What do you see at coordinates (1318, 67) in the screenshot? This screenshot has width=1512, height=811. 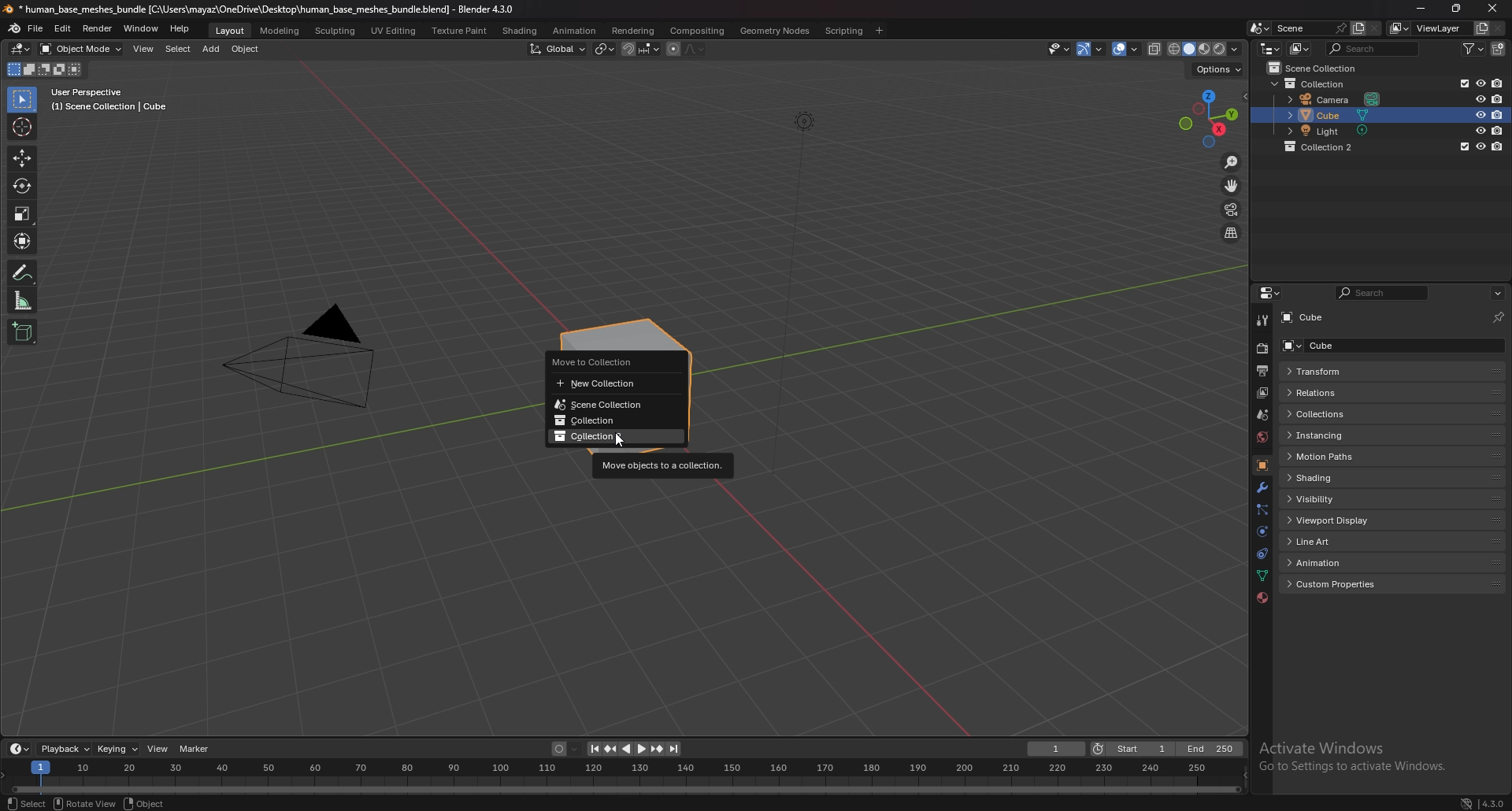 I see `scene collection` at bounding box center [1318, 67].